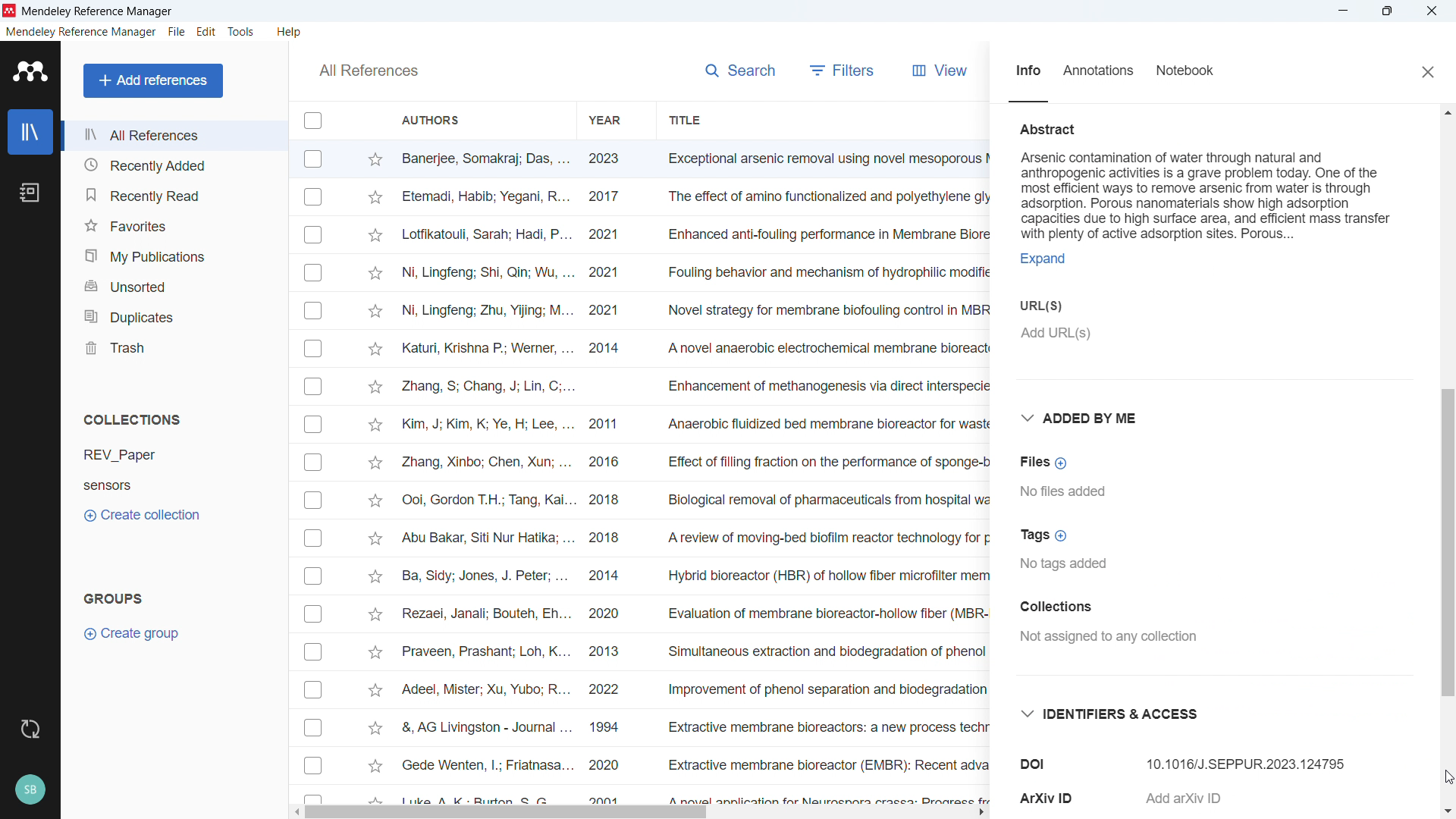 This screenshot has width=1456, height=819. What do you see at coordinates (743, 73) in the screenshot?
I see `search ` at bounding box center [743, 73].